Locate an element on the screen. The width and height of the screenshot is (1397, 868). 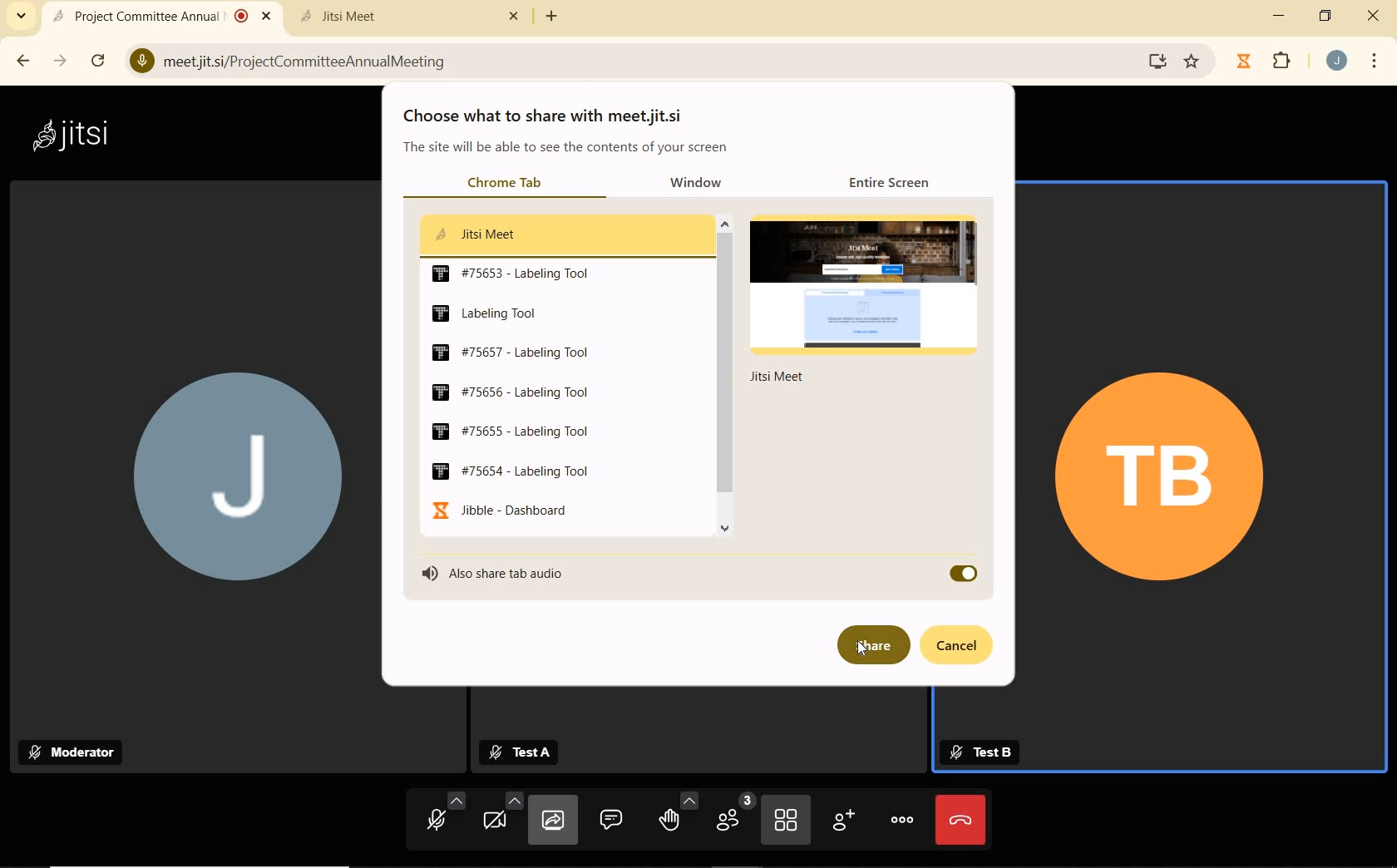
SCROLL BAR is located at coordinates (725, 382).